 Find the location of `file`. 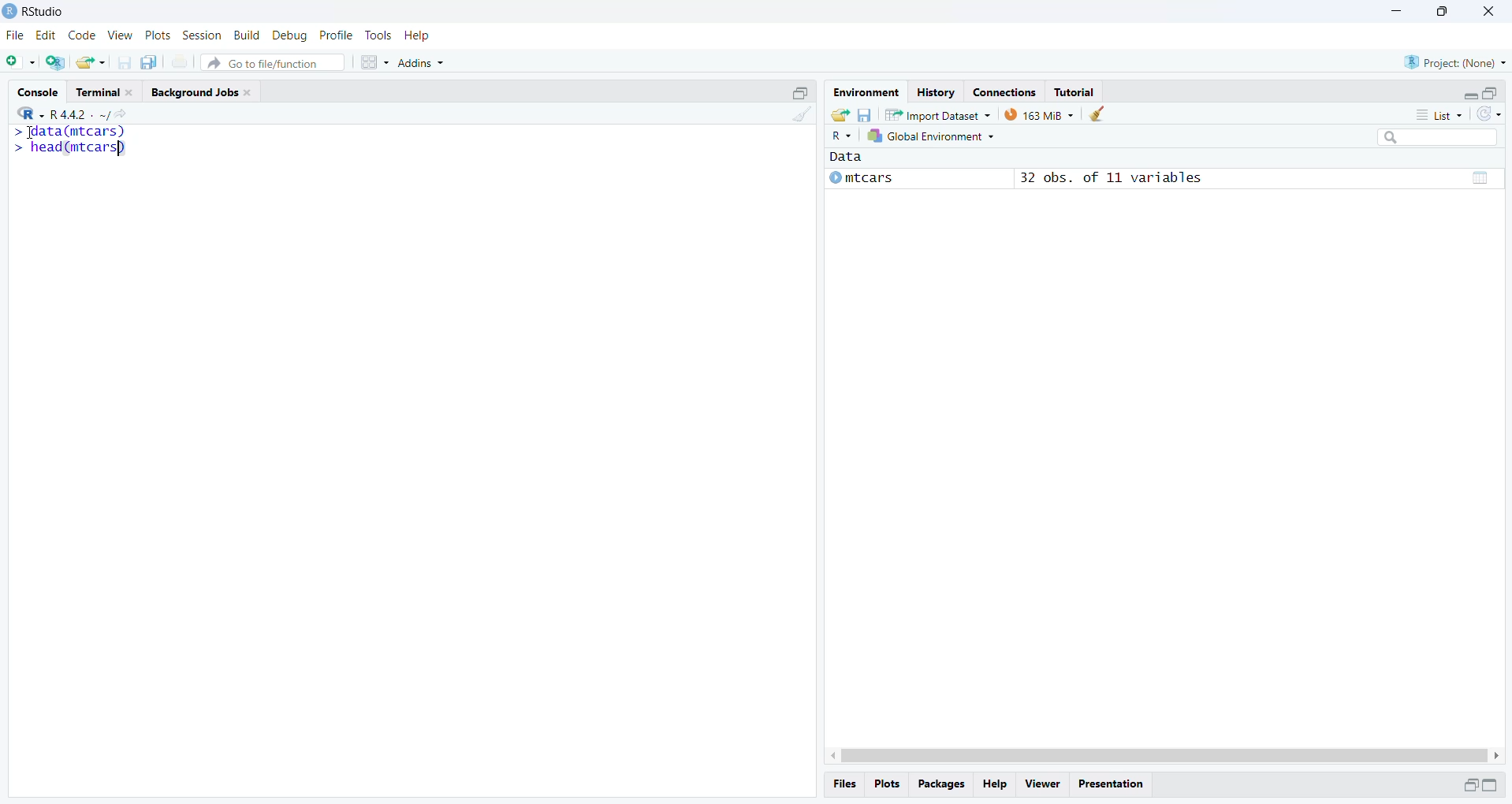

file is located at coordinates (17, 35).